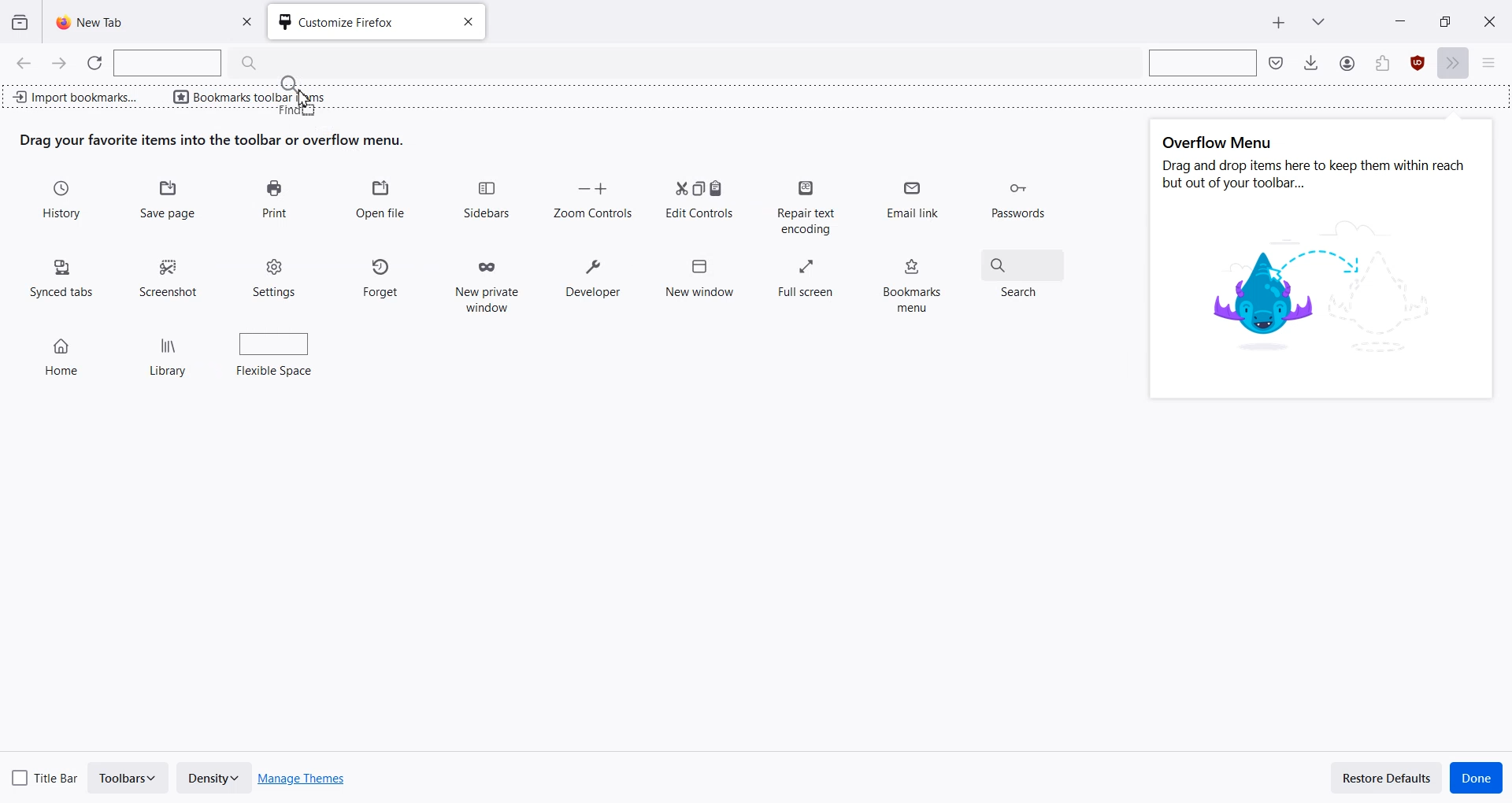 This screenshot has width=1512, height=803. Describe the element at coordinates (276, 276) in the screenshot. I see `Settings` at that location.